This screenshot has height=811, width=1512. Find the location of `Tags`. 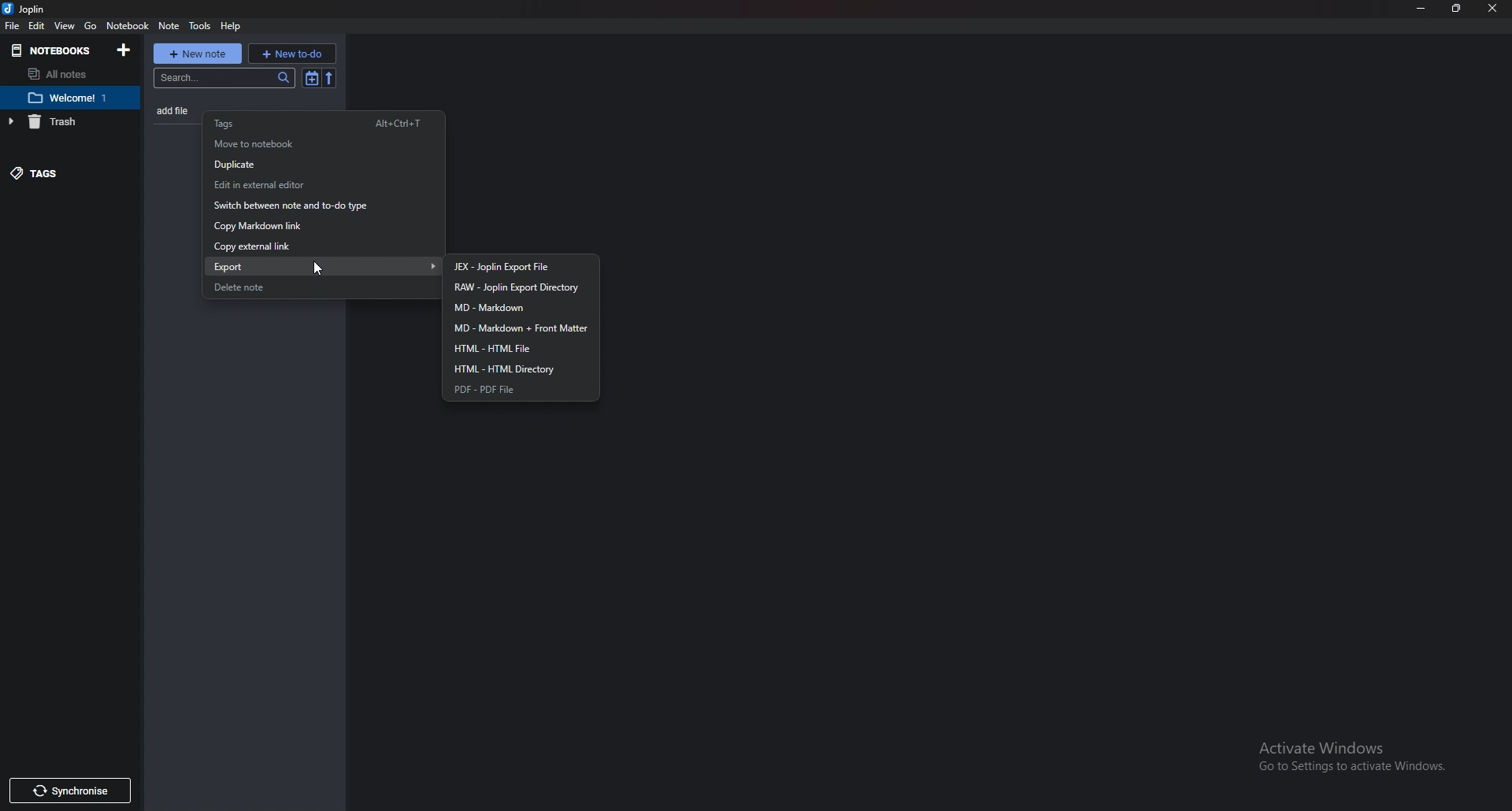

Tags is located at coordinates (323, 123).